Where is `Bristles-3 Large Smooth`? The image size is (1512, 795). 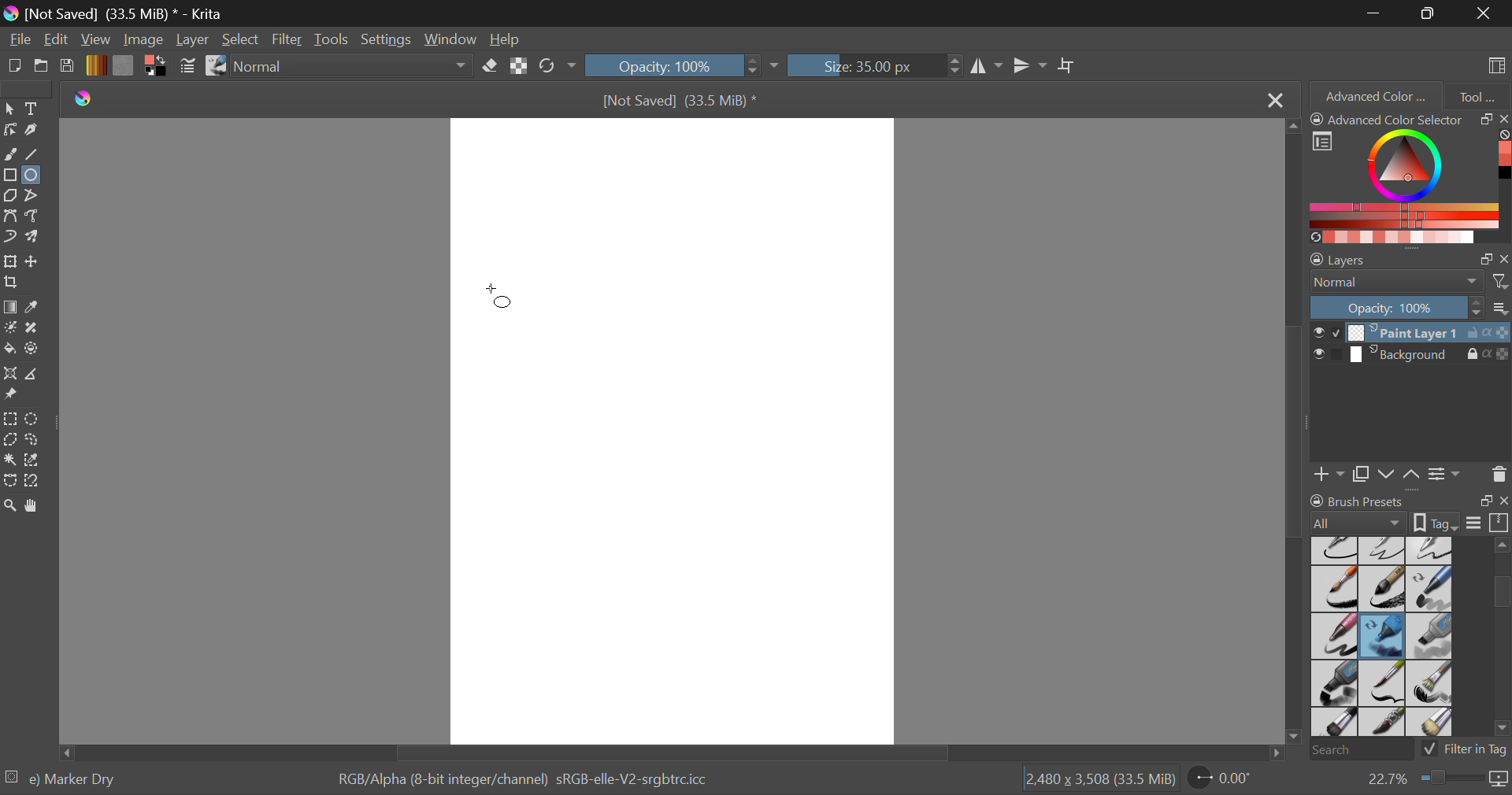 Bristles-3 Large Smooth is located at coordinates (1333, 723).